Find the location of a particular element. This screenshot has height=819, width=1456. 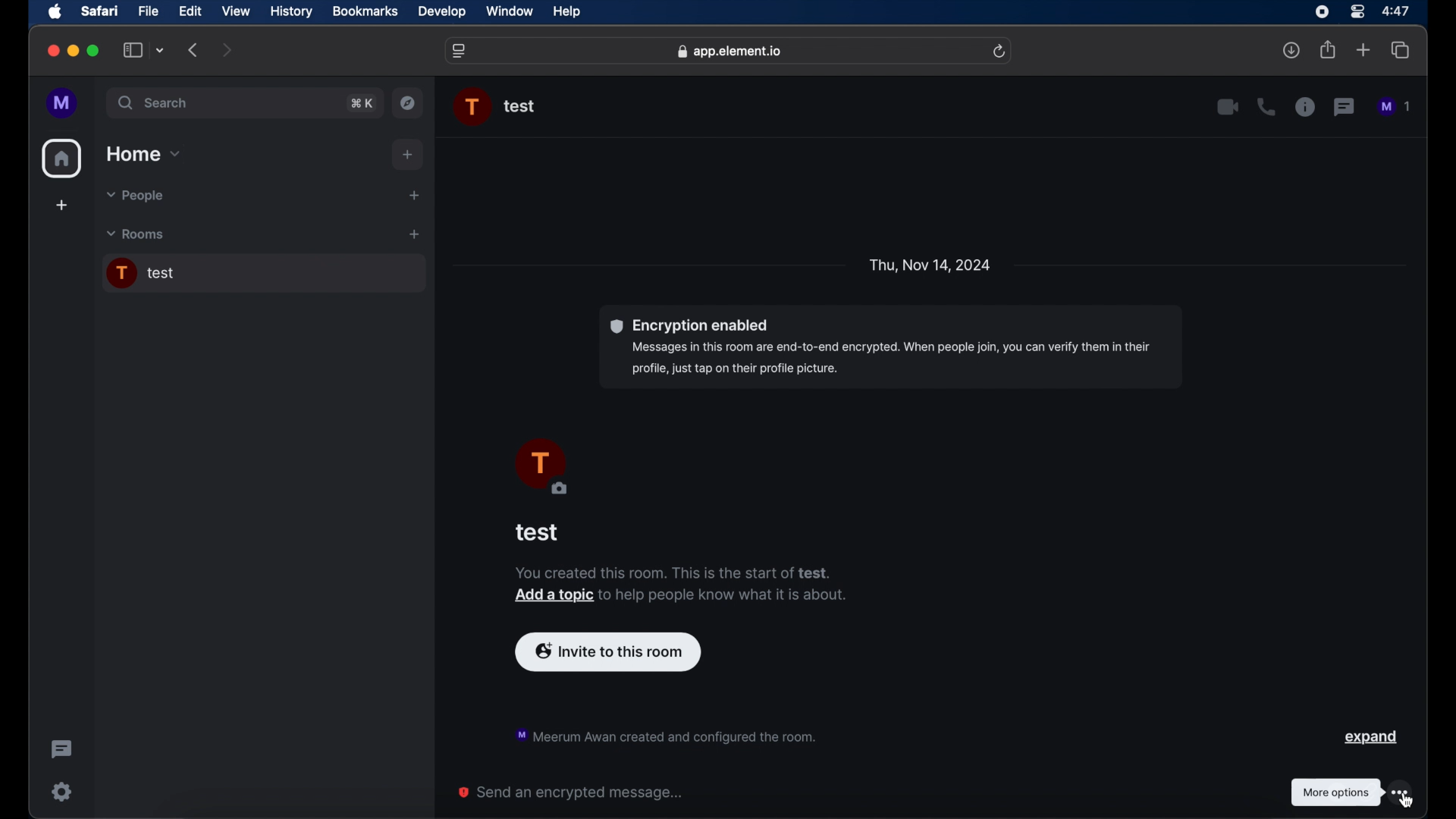

previous is located at coordinates (194, 50).